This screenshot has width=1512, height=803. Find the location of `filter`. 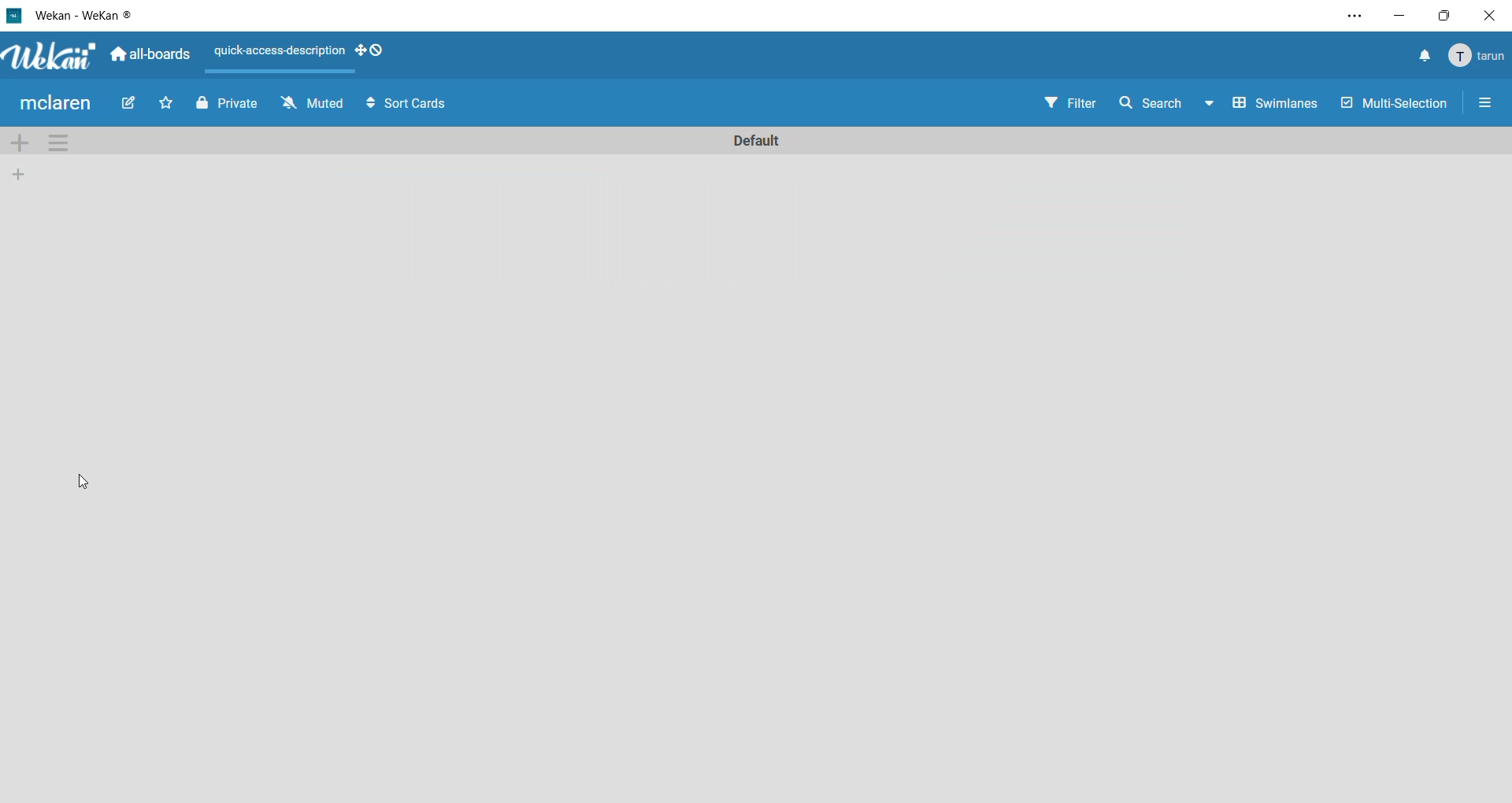

filter is located at coordinates (1066, 103).